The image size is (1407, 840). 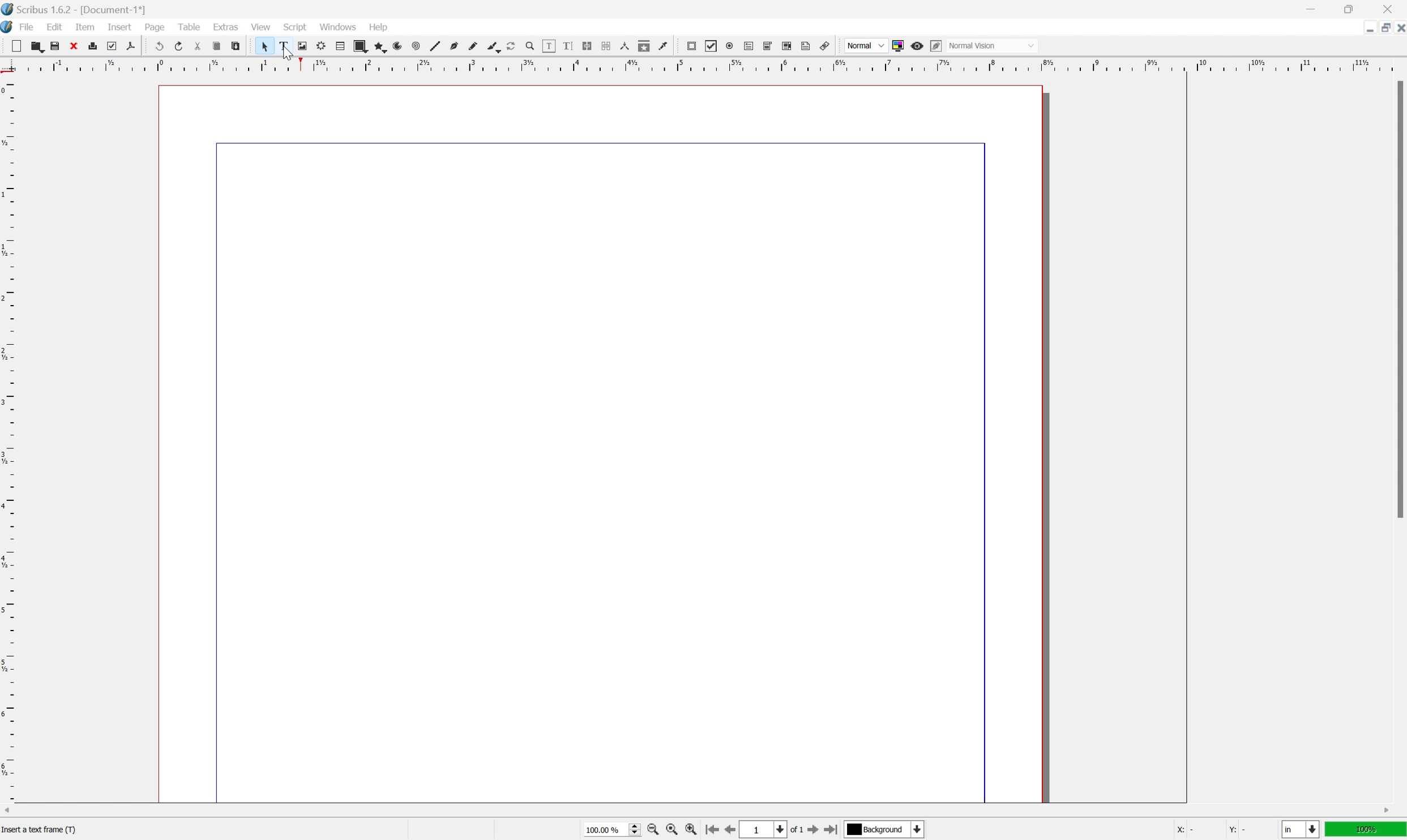 I want to click on spiral, so click(x=401, y=46).